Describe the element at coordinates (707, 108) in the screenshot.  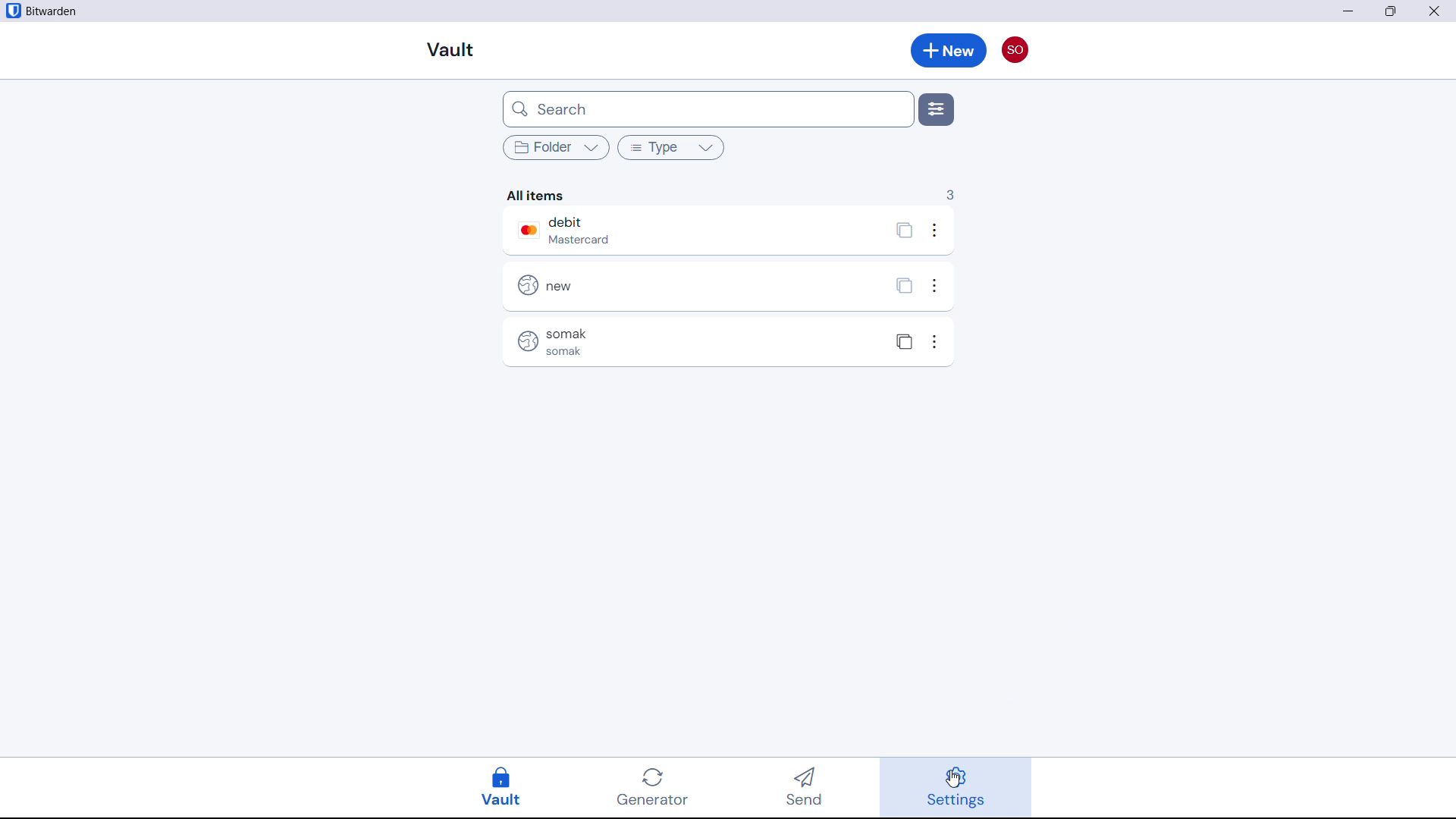
I see `Search in vault ` at that location.